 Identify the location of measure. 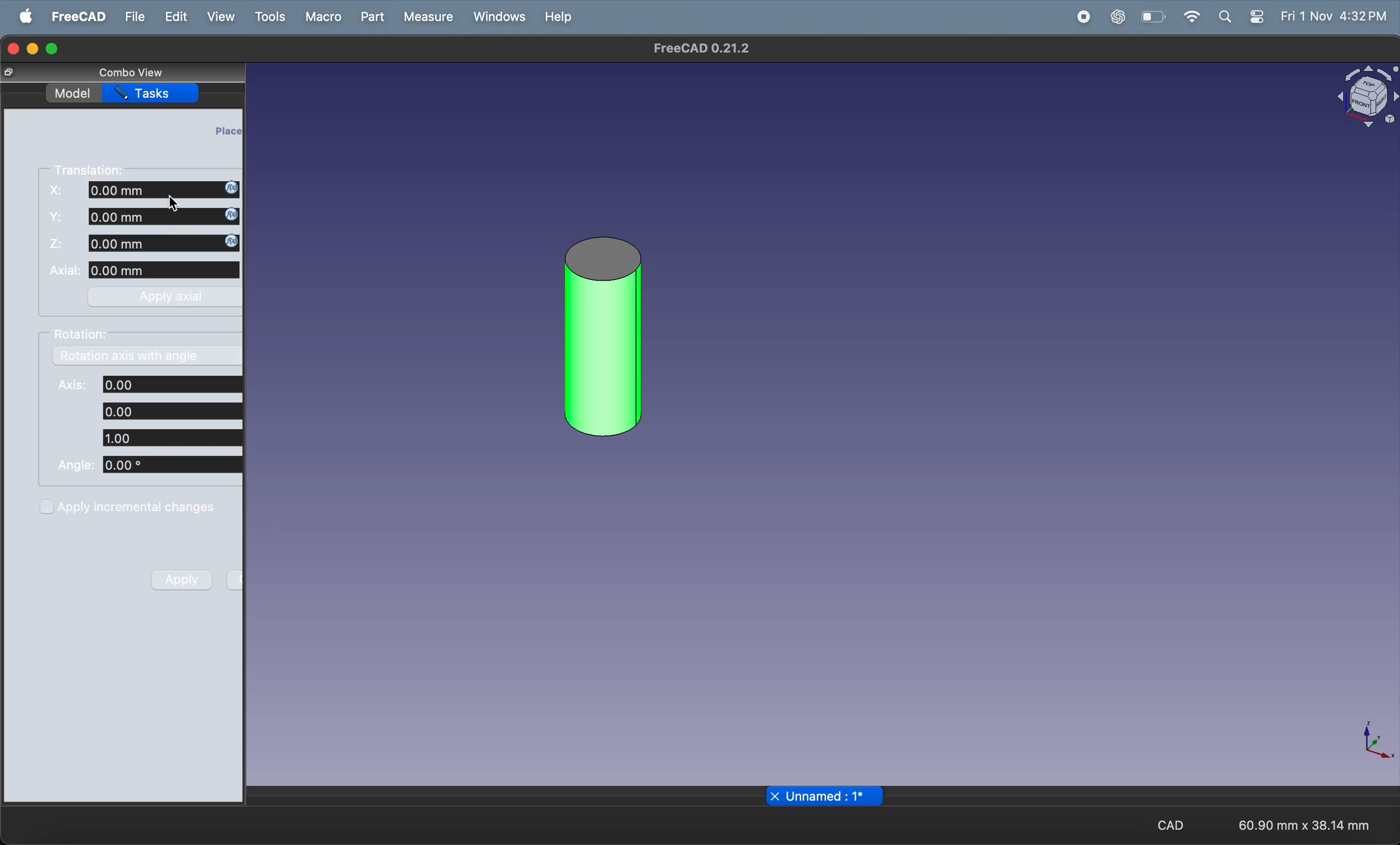
(427, 16).